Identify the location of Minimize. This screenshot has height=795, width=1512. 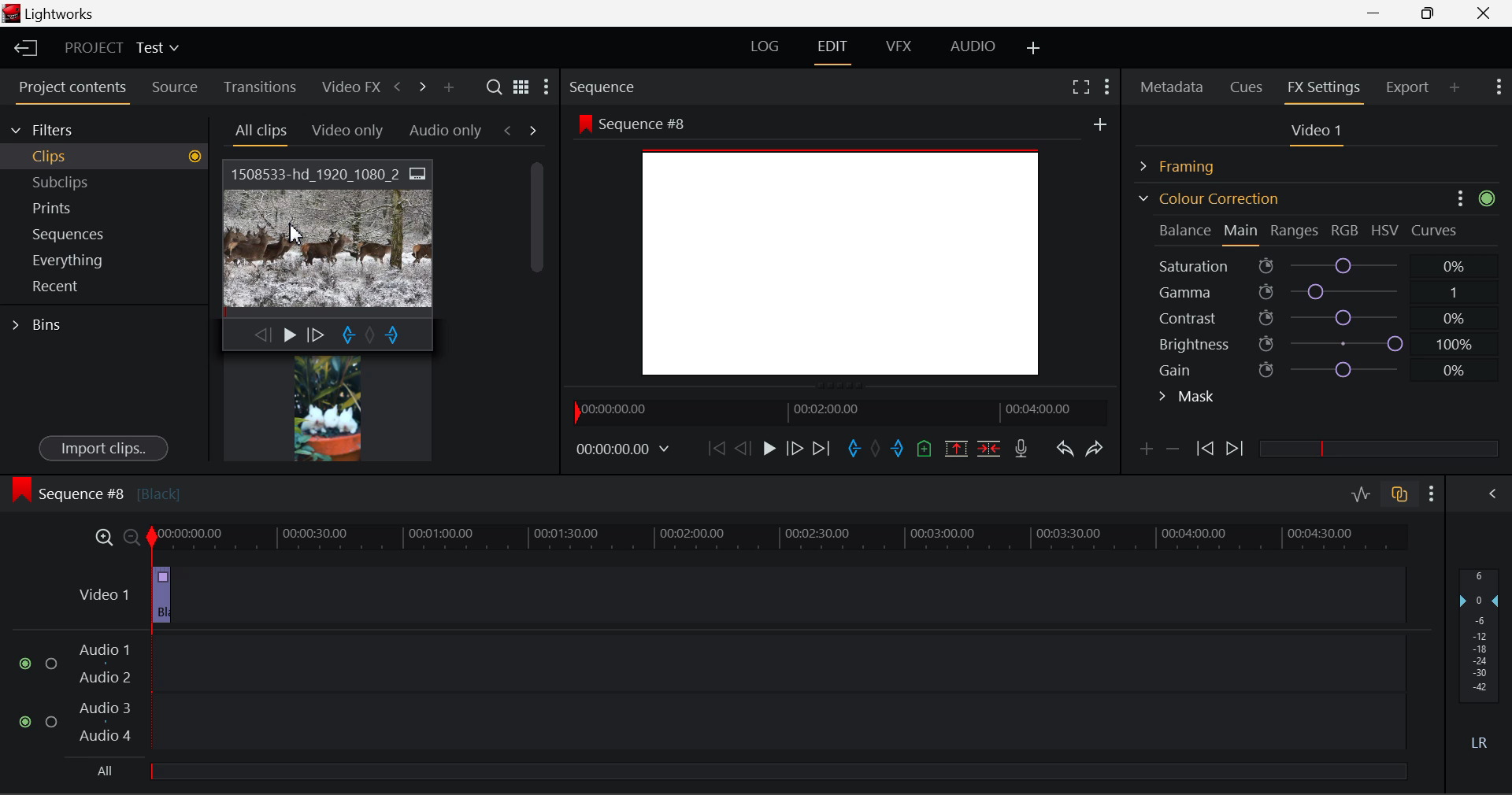
(1432, 13).